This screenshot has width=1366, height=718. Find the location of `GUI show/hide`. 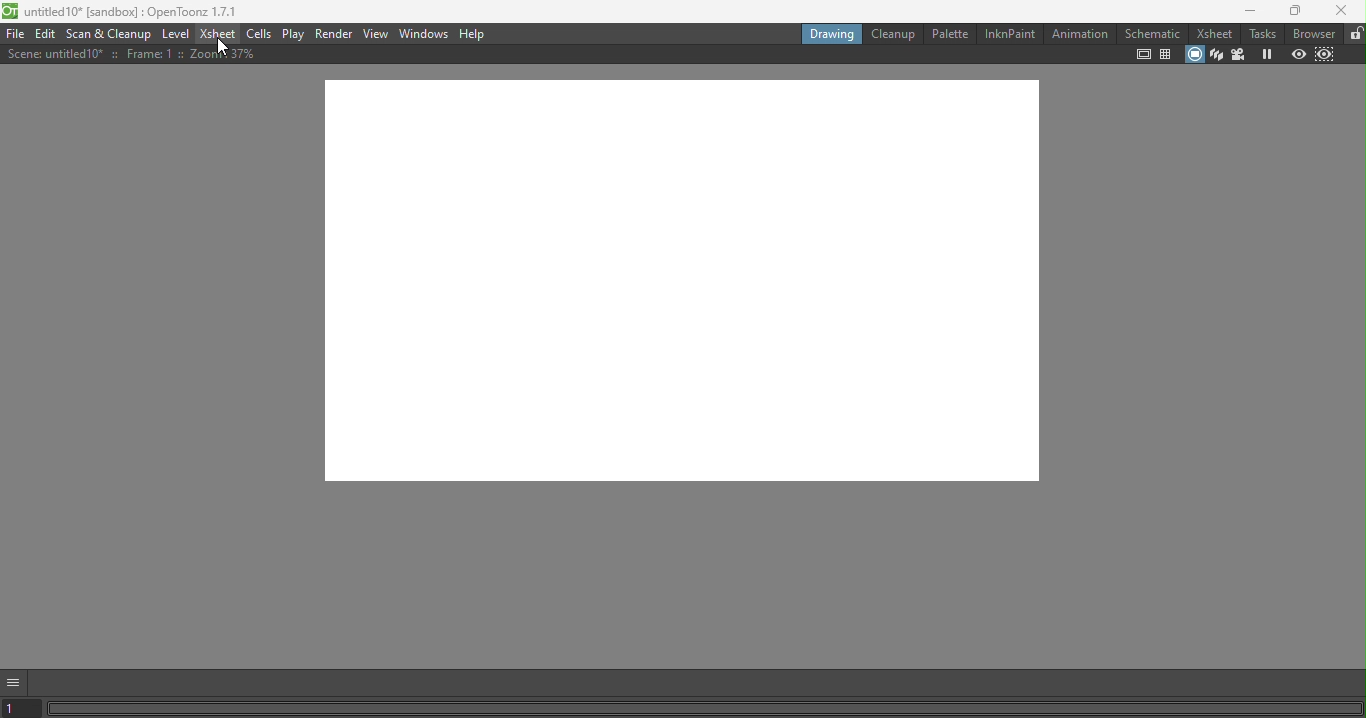

GUI show/hide is located at coordinates (17, 681).